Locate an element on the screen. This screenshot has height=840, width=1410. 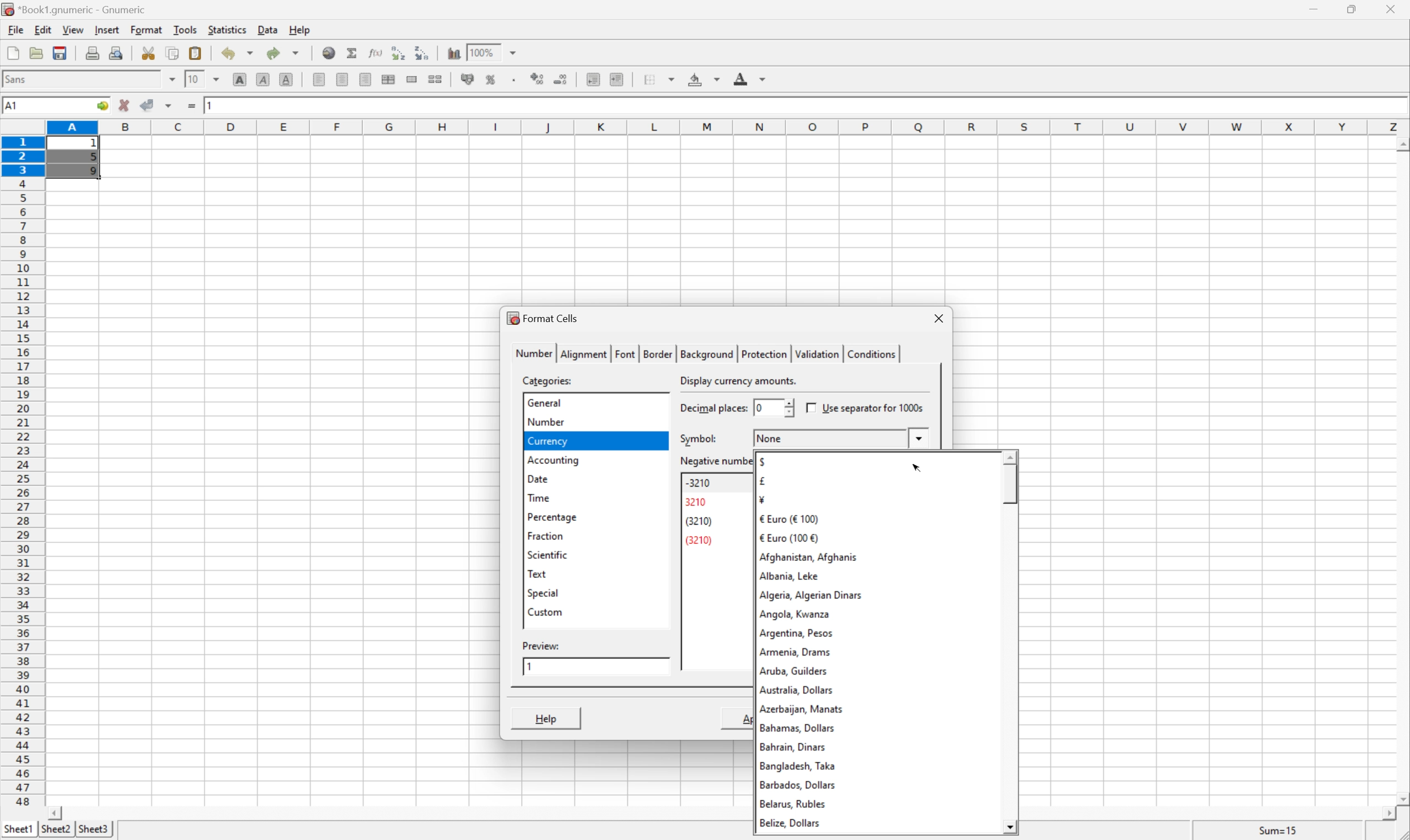
time is located at coordinates (538, 497).